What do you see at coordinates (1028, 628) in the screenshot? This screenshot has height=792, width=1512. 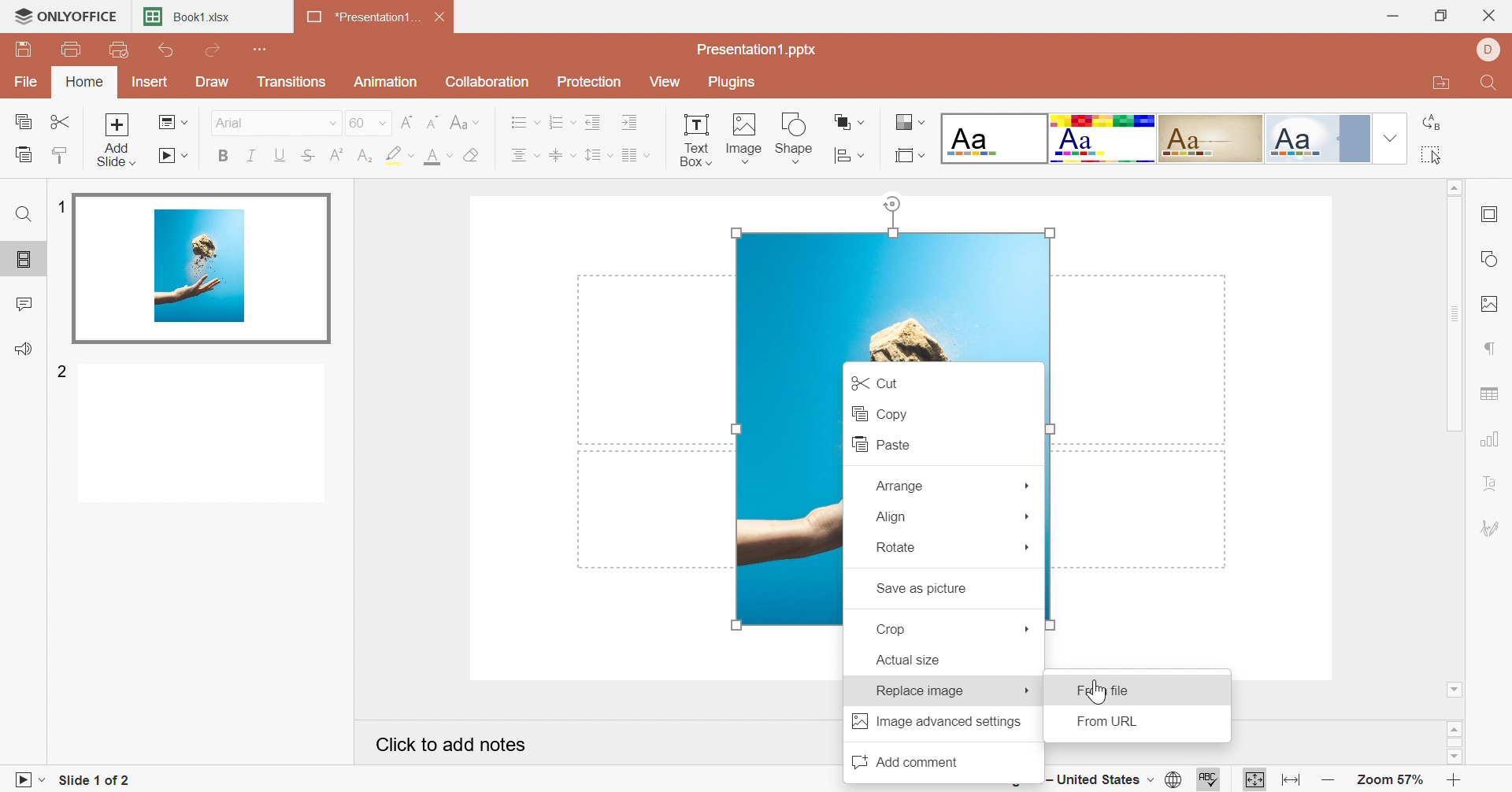 I see `Drop Down` at bounding box center [1028, 628].